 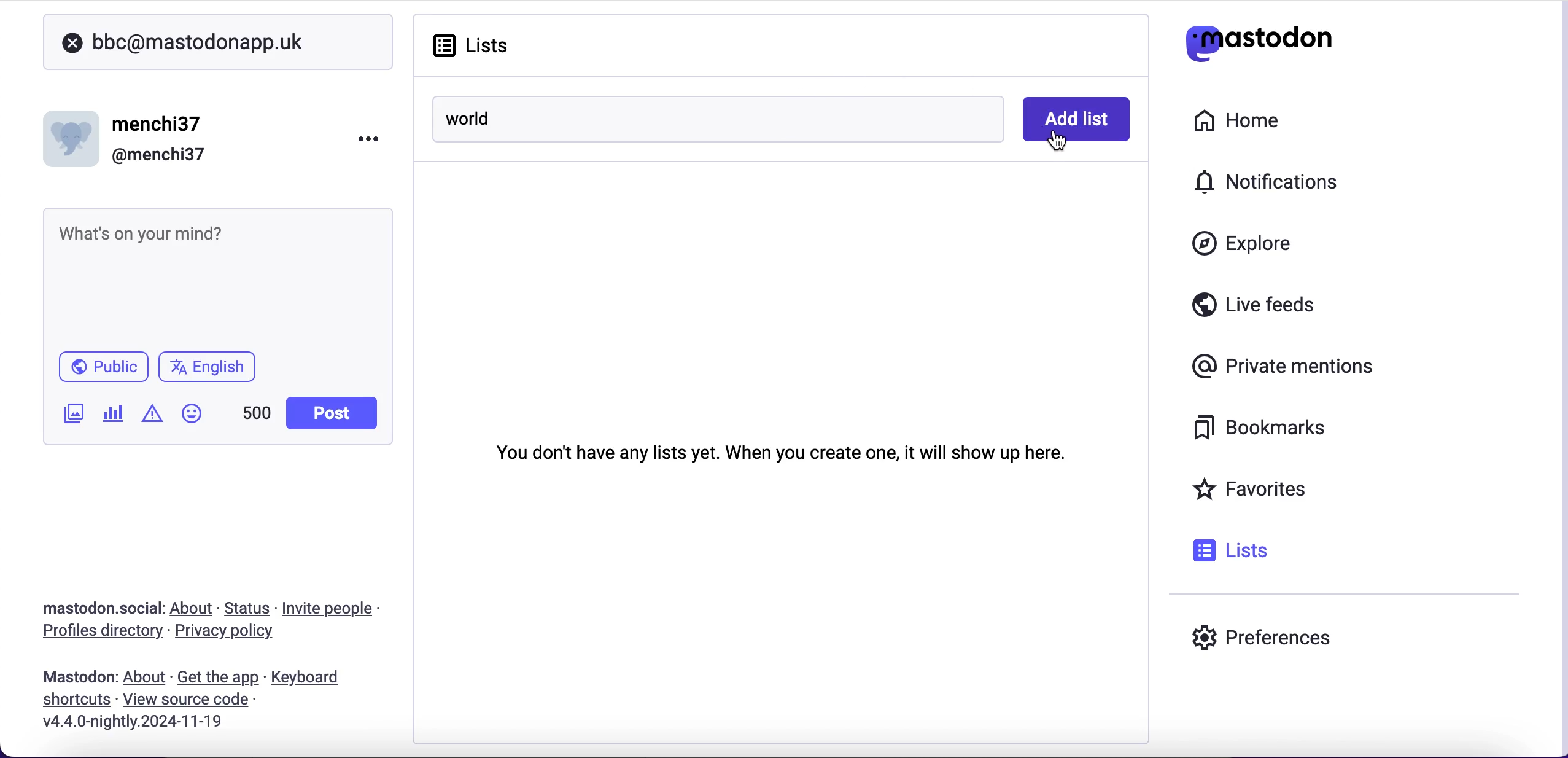 What do you see at coordinates (72, 700) in the screenshot?
I see `shortcuts` at bounding box center [72, 700].